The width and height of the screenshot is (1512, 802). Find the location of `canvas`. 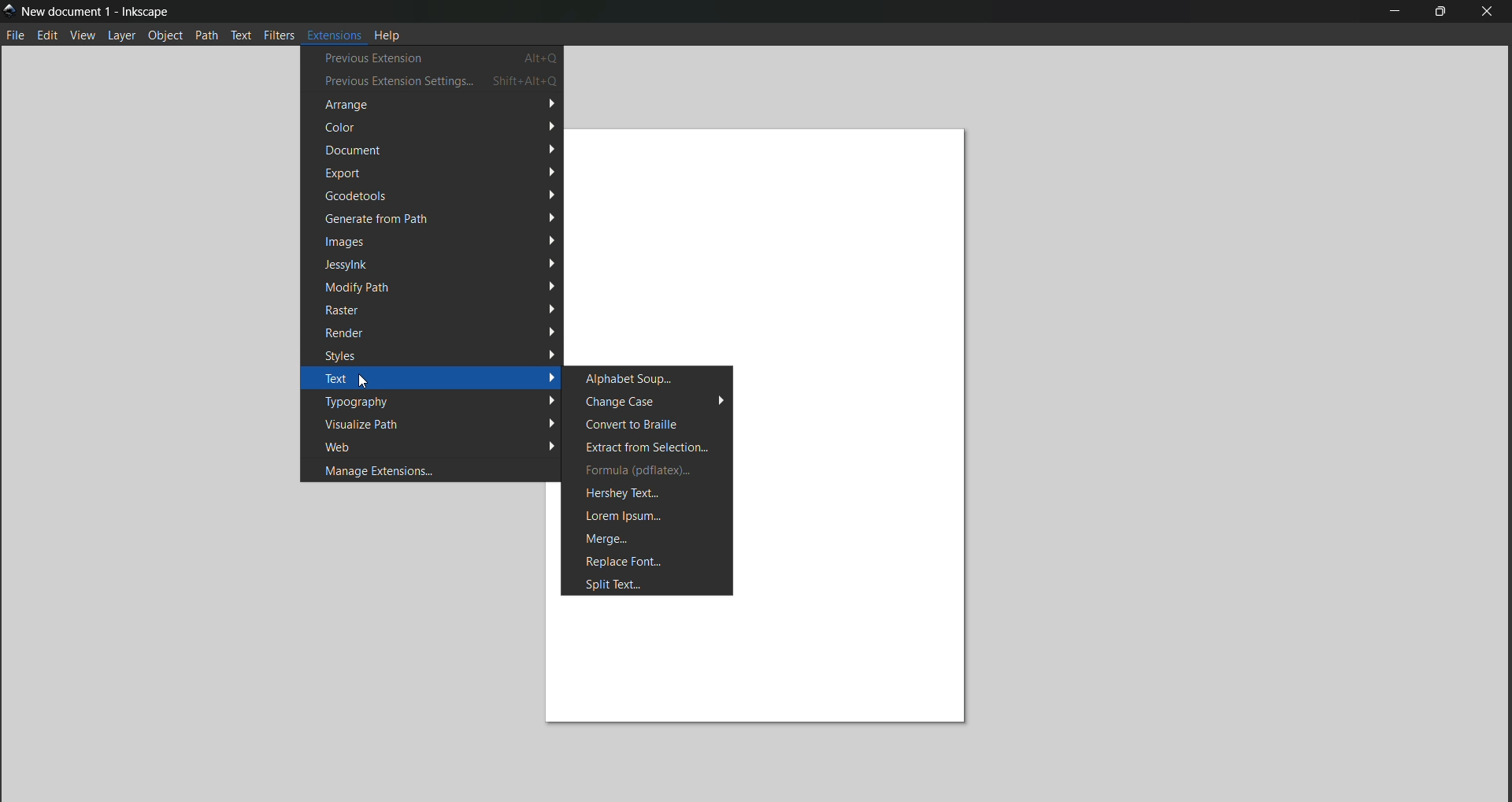

canvas is located at coordinates (783, 239).